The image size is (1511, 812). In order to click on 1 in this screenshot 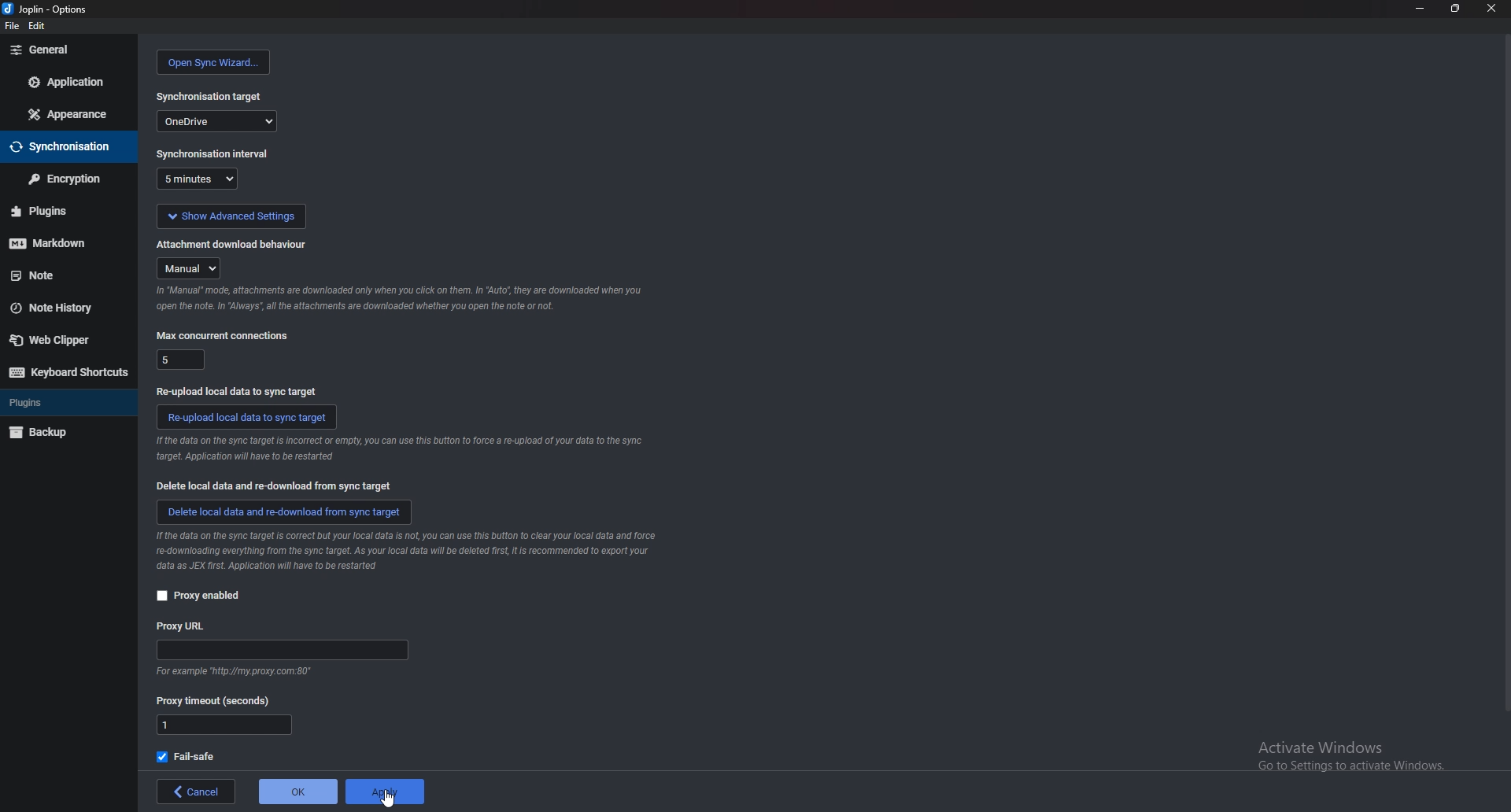, I will do `click(224, 725)`.